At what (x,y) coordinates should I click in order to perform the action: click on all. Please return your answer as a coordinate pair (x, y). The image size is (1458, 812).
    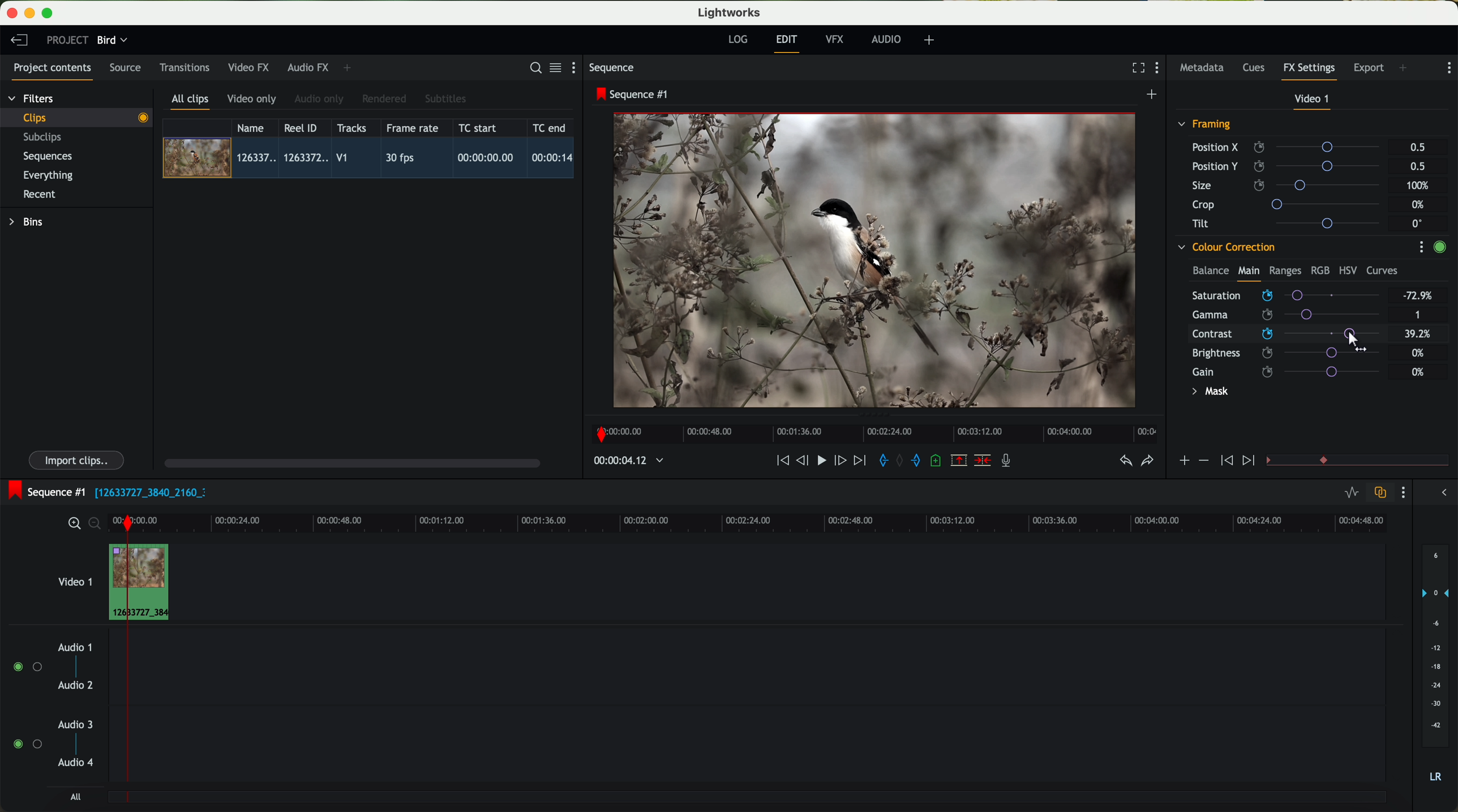
    Looking at the image, I should click on (75, 797).